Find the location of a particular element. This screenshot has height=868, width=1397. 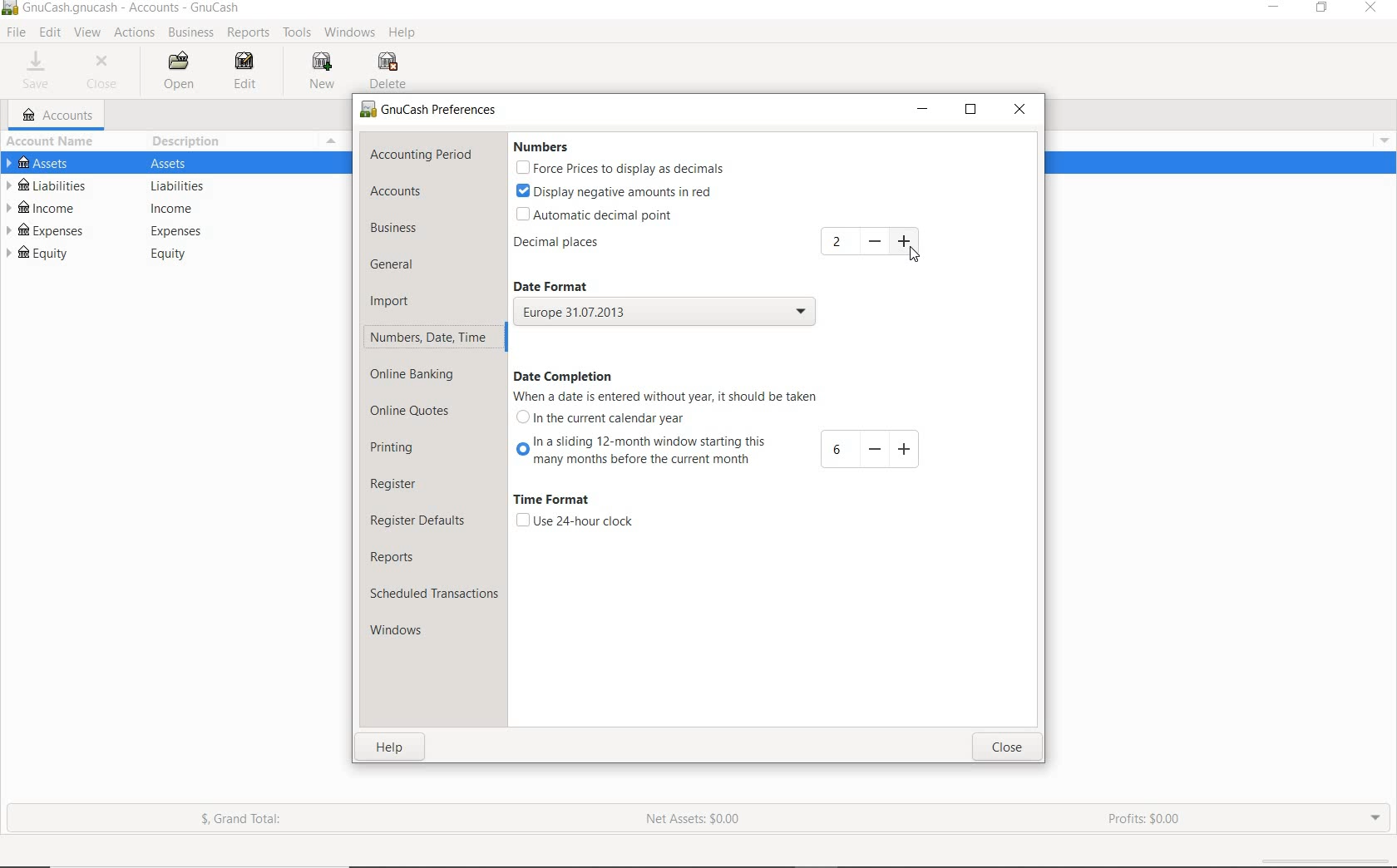

EDIT is located at coordinates (250, 73).